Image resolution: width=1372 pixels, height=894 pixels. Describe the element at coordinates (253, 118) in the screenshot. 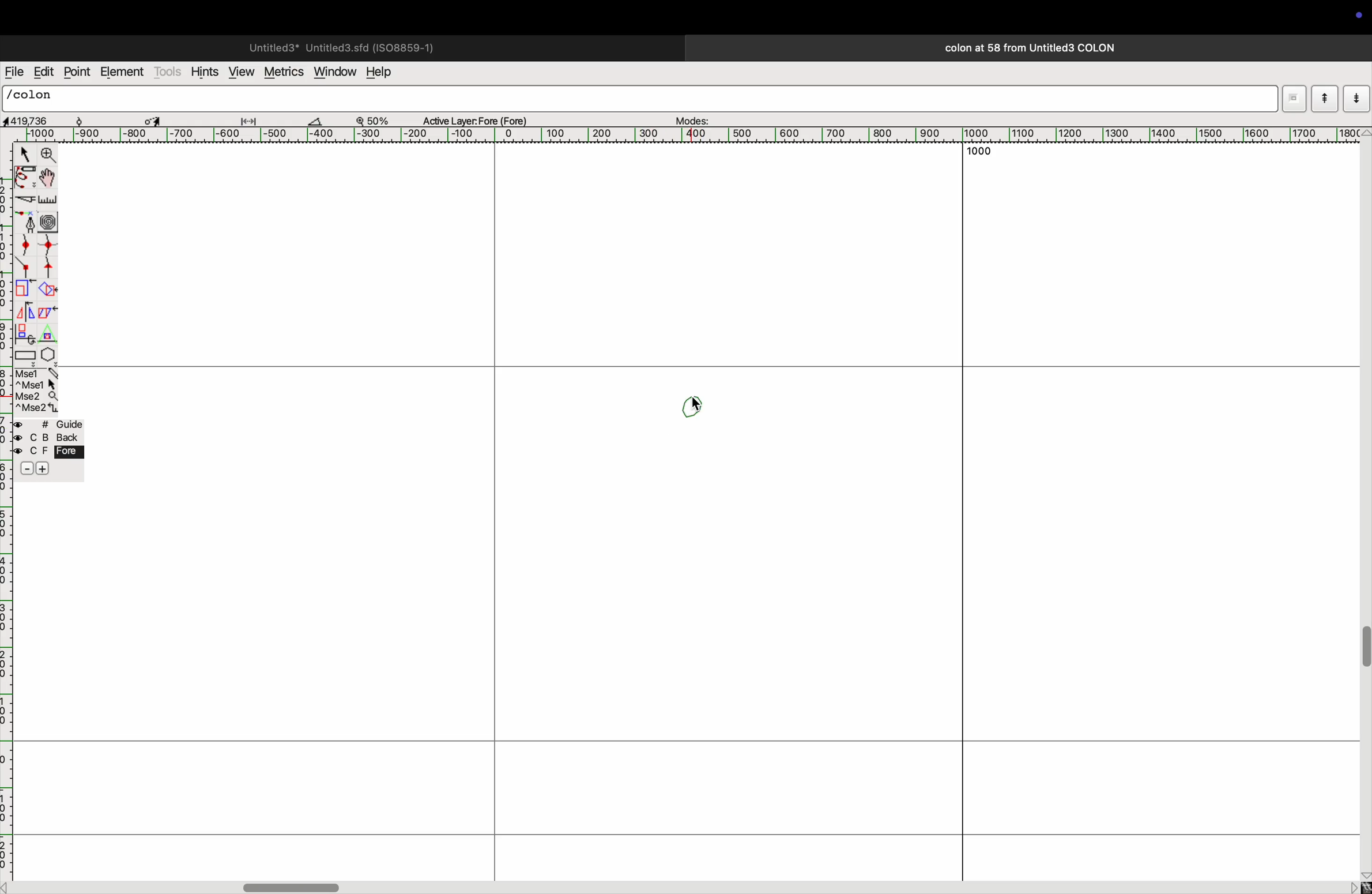

I see `adjust` at that location.